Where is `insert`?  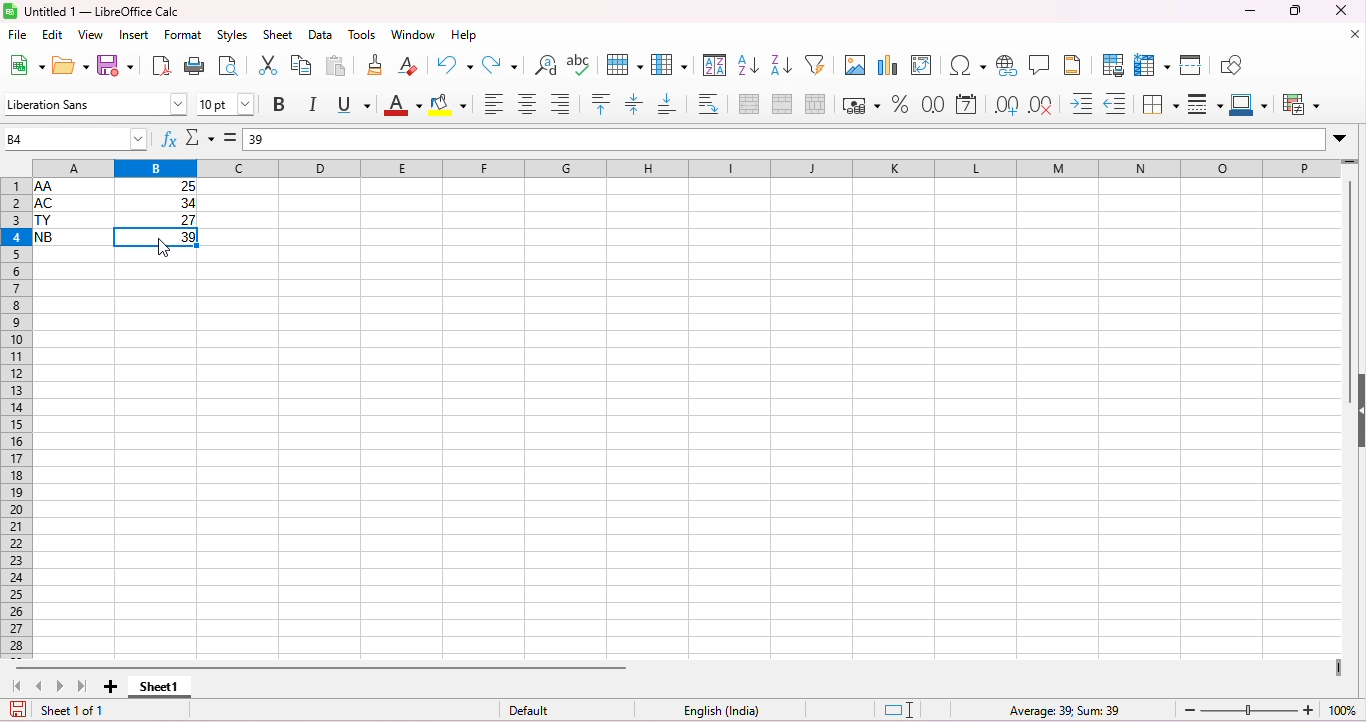
insert is located at coordinates (133, 35).